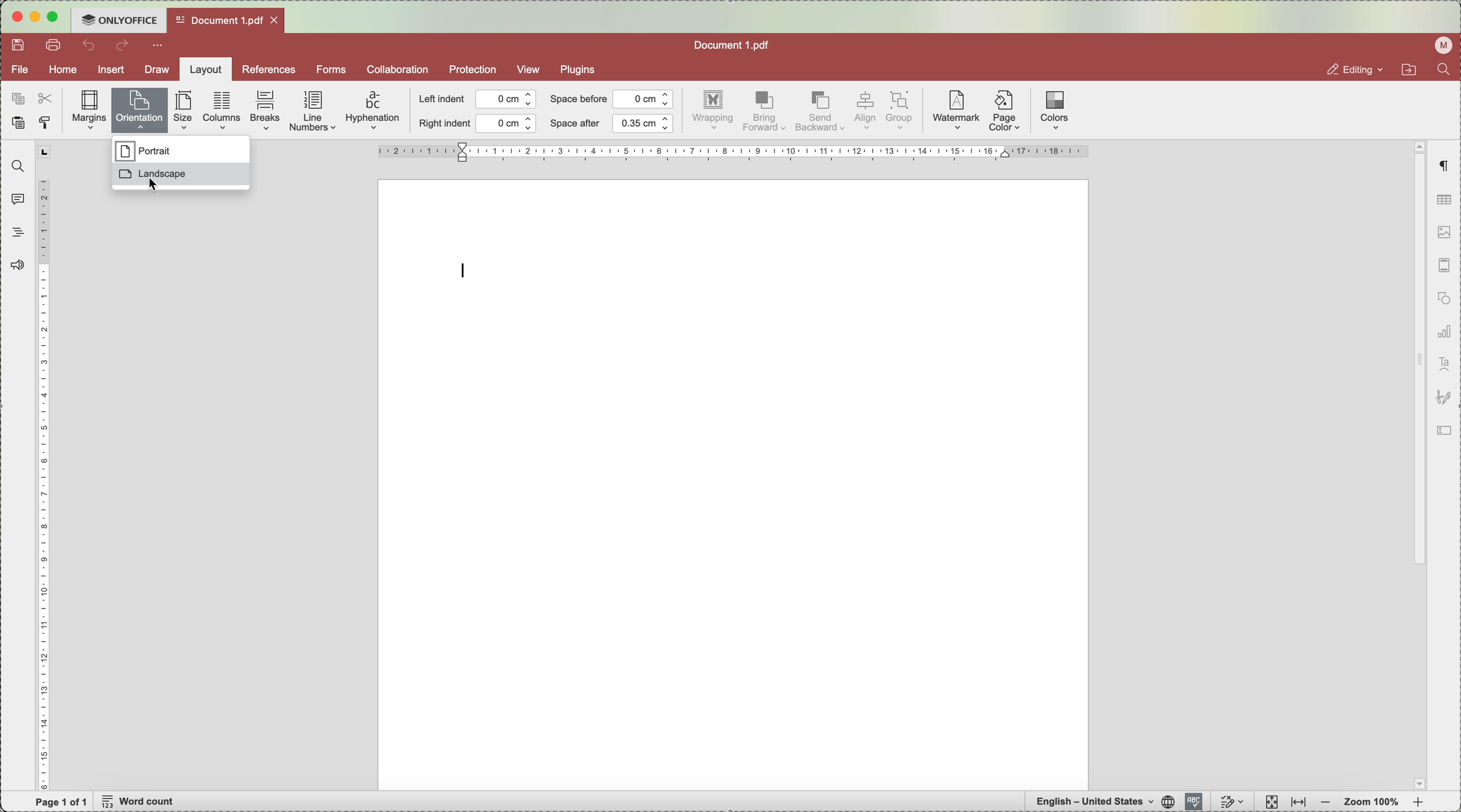  I want to click on headings, so click(18, 232).